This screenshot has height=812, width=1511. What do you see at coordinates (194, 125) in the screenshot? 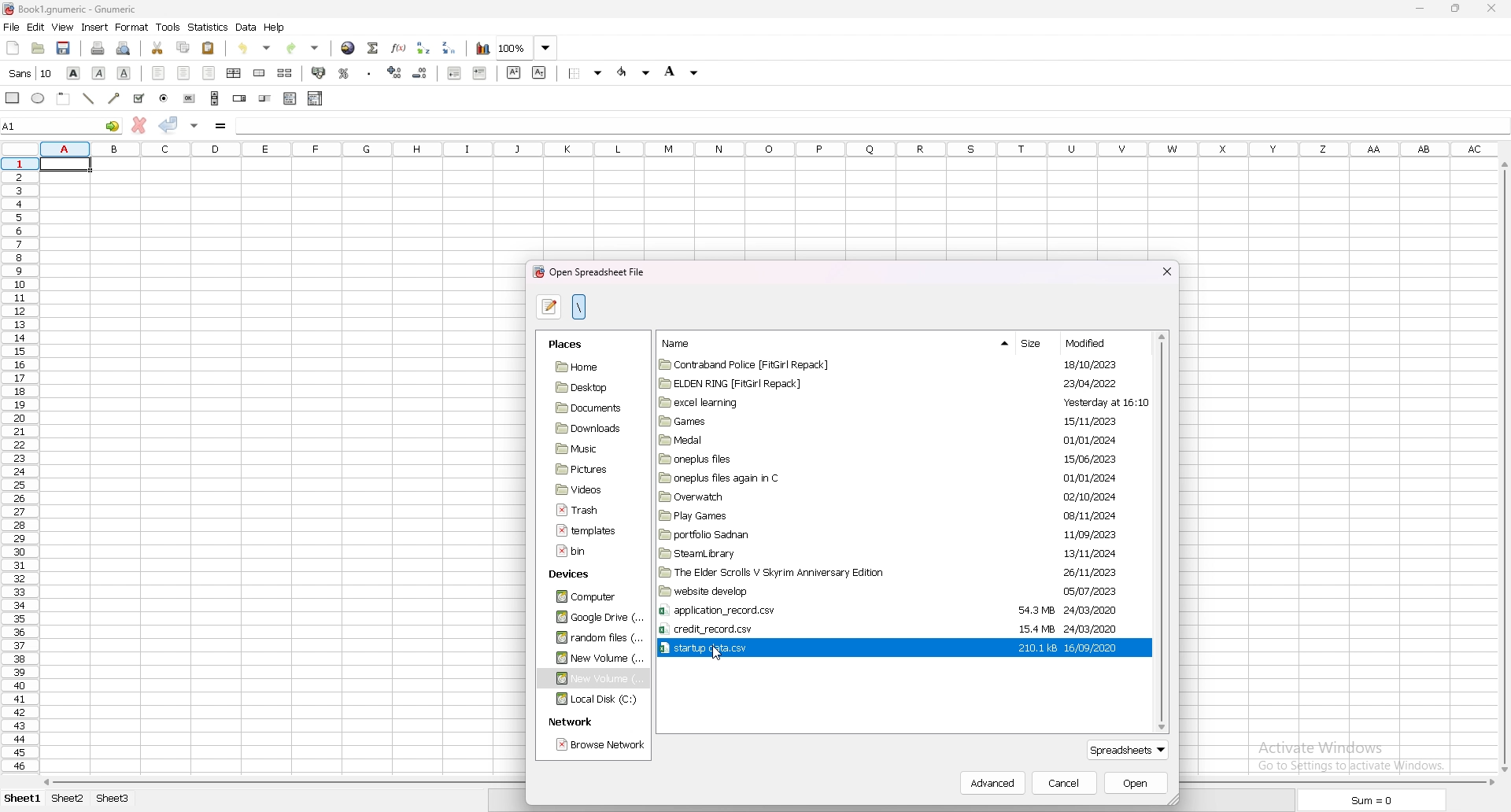
I see `accept change in multiple cell` at bounding box center [194, 125].